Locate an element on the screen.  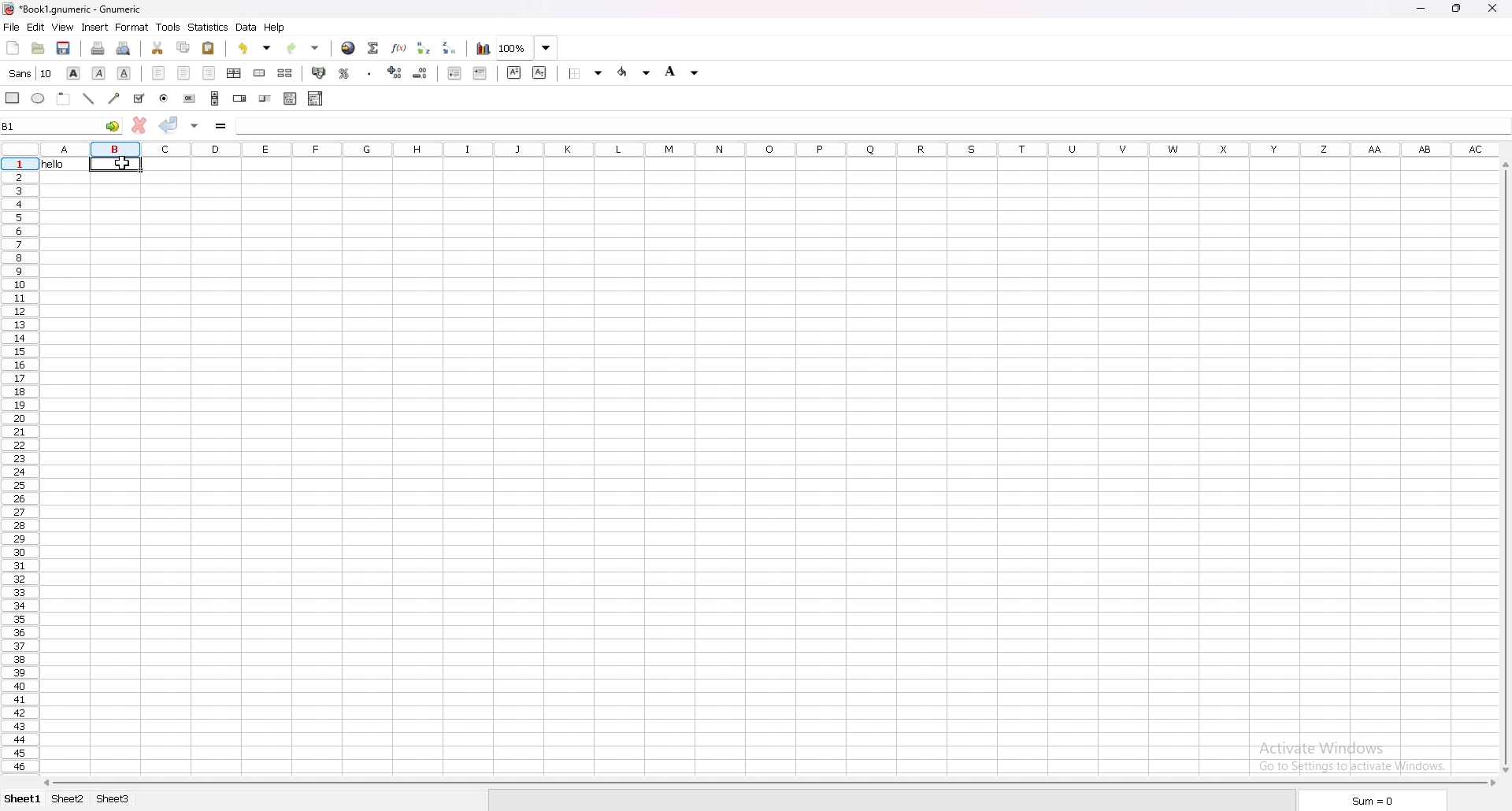
increase indent is located at coordinates (480, 73).